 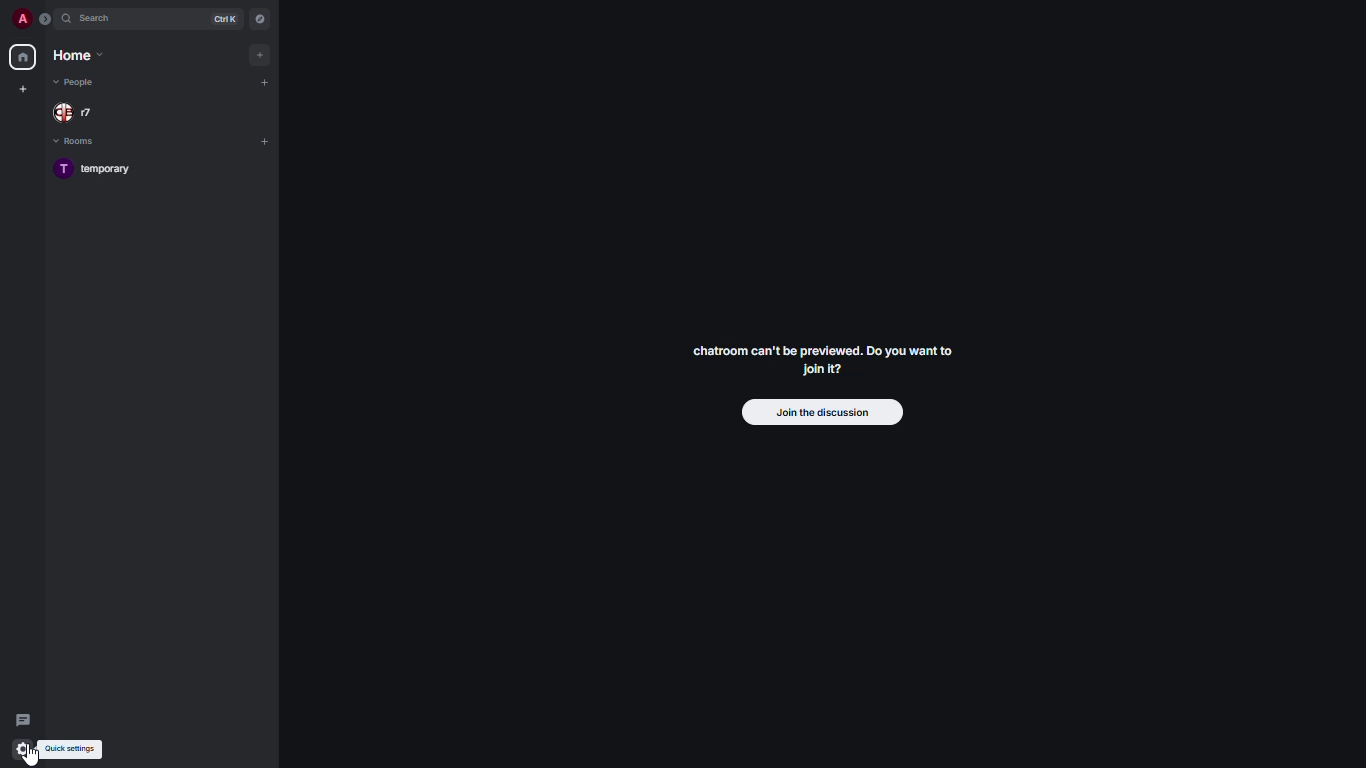 What do you see at coordinates (24, 720) in the screenshot?
I see `threads` at bounding box center [24, 720].